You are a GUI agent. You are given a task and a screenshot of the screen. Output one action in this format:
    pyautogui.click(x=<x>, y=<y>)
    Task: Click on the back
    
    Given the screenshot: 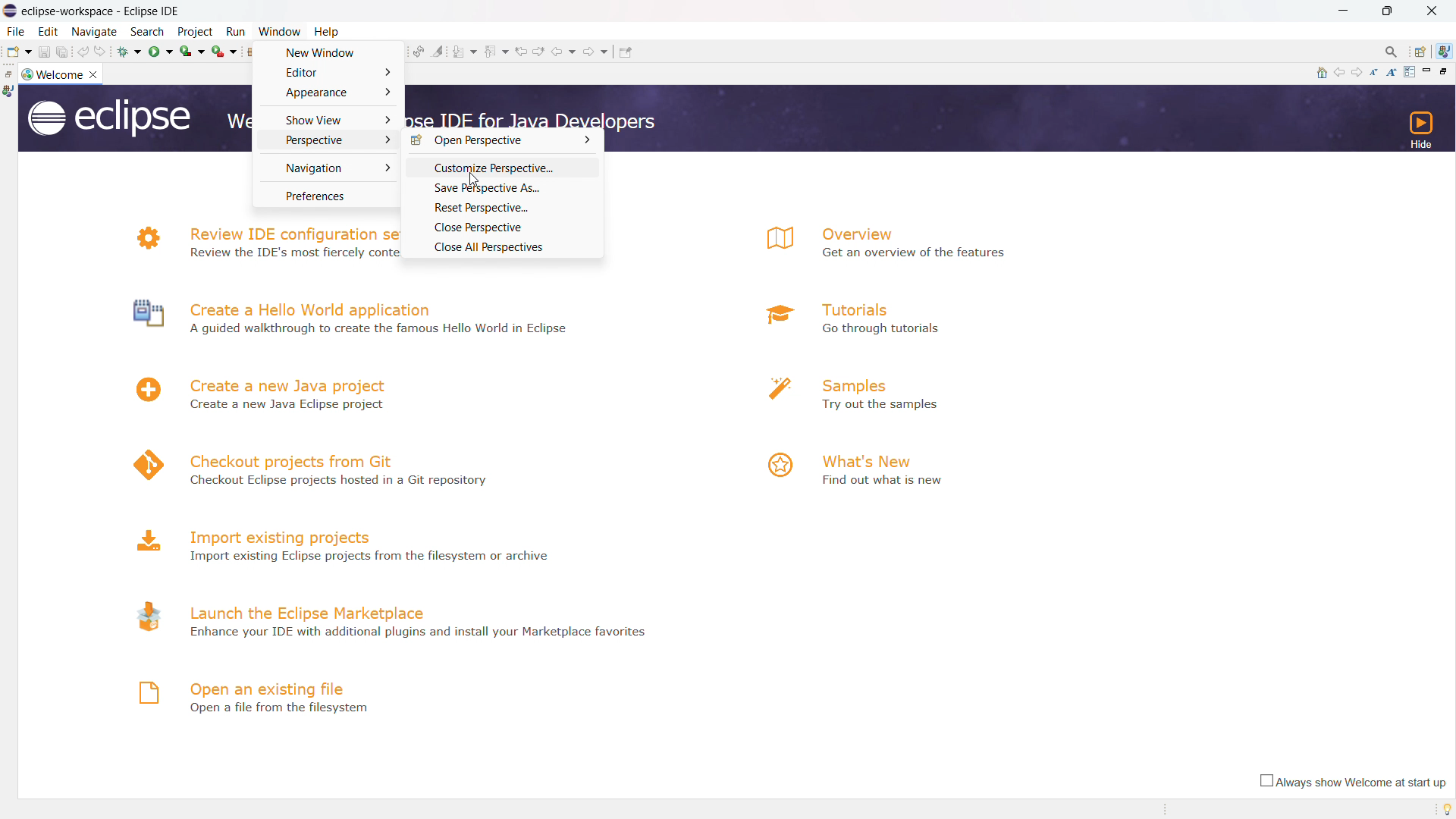 What is the action you would take?
    pyautogui.click(x=563, y=52)
    